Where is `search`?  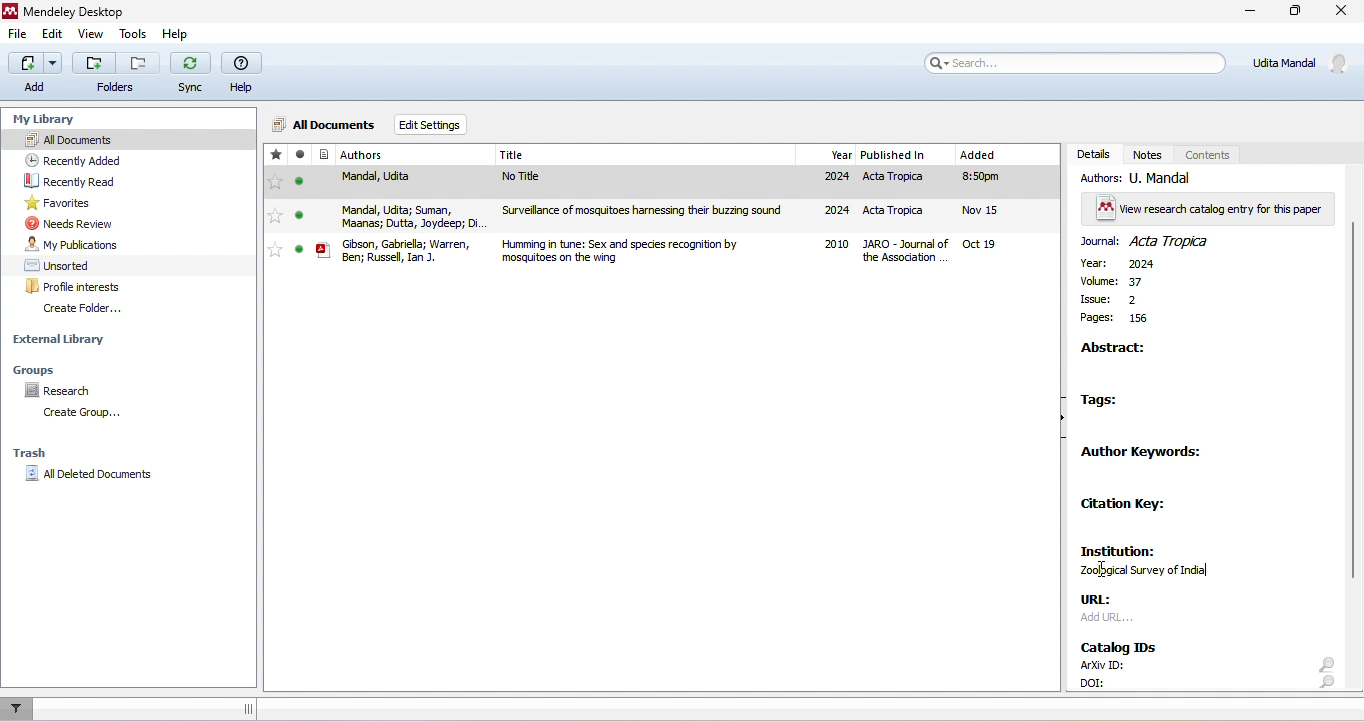 search is located at coordinates (1325, 673).